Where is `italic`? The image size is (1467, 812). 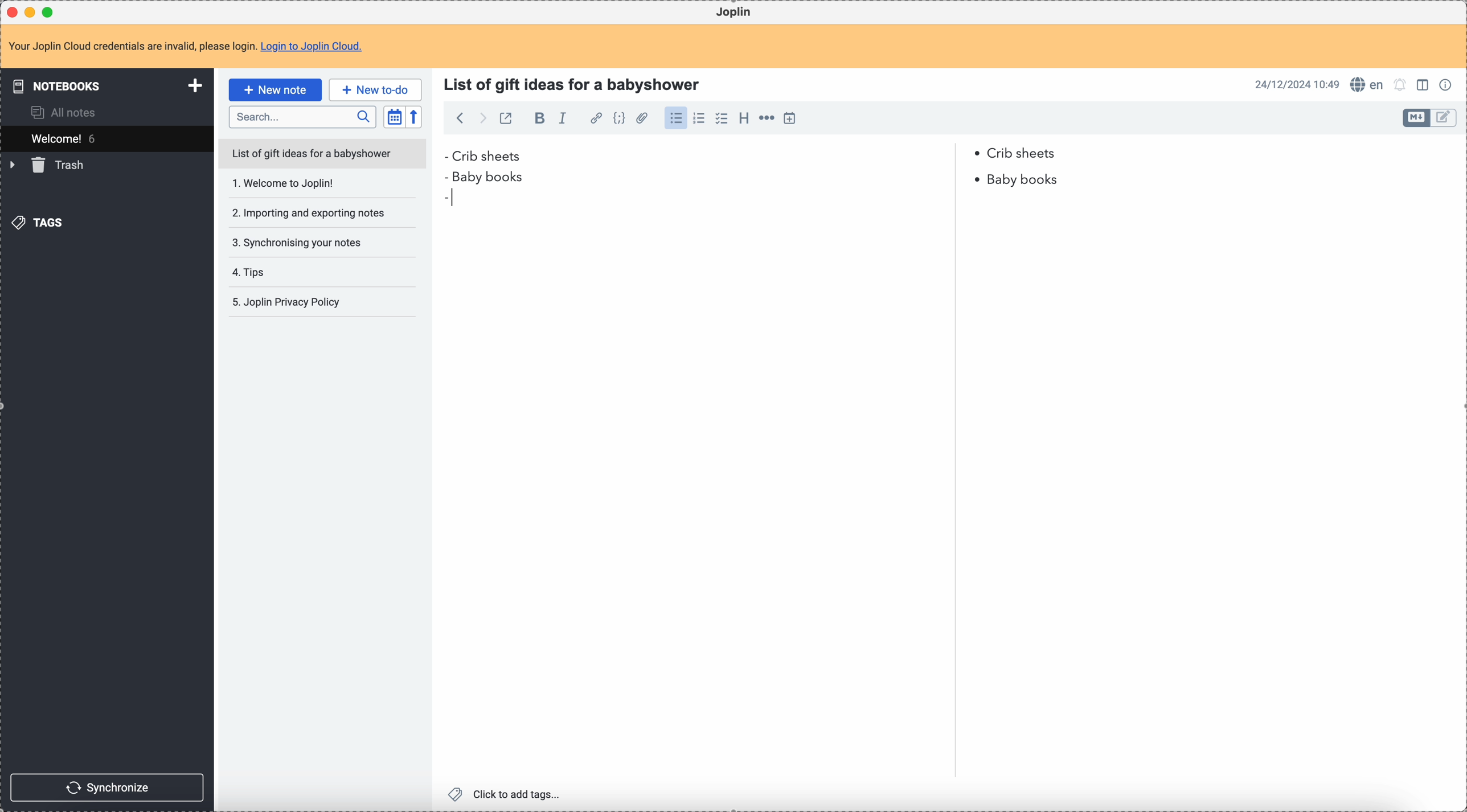
italic is located at coordinates (564, 119).